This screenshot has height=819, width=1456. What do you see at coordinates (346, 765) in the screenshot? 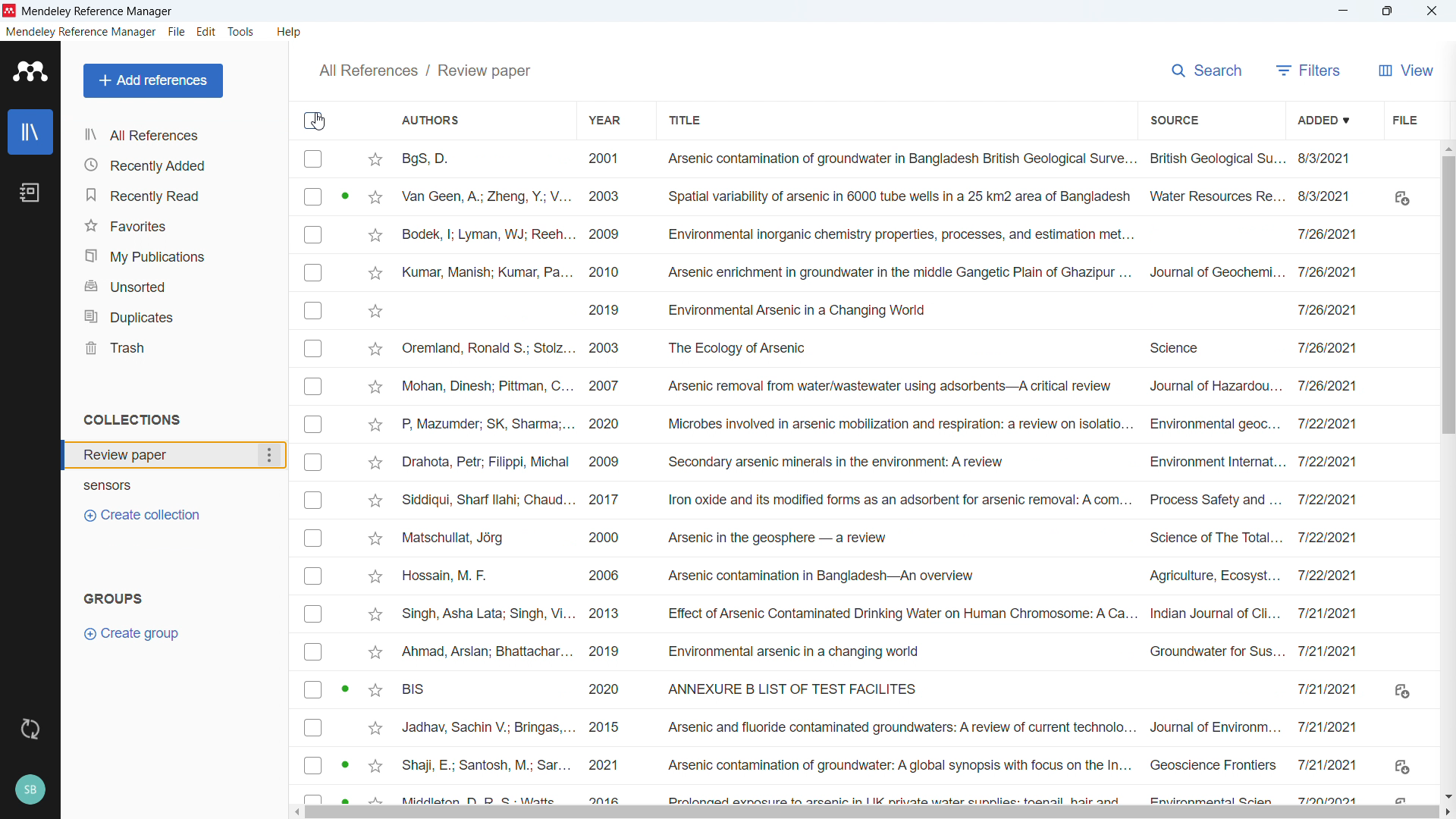
I see `Indicates current selection` at bounding box center [346, 765].